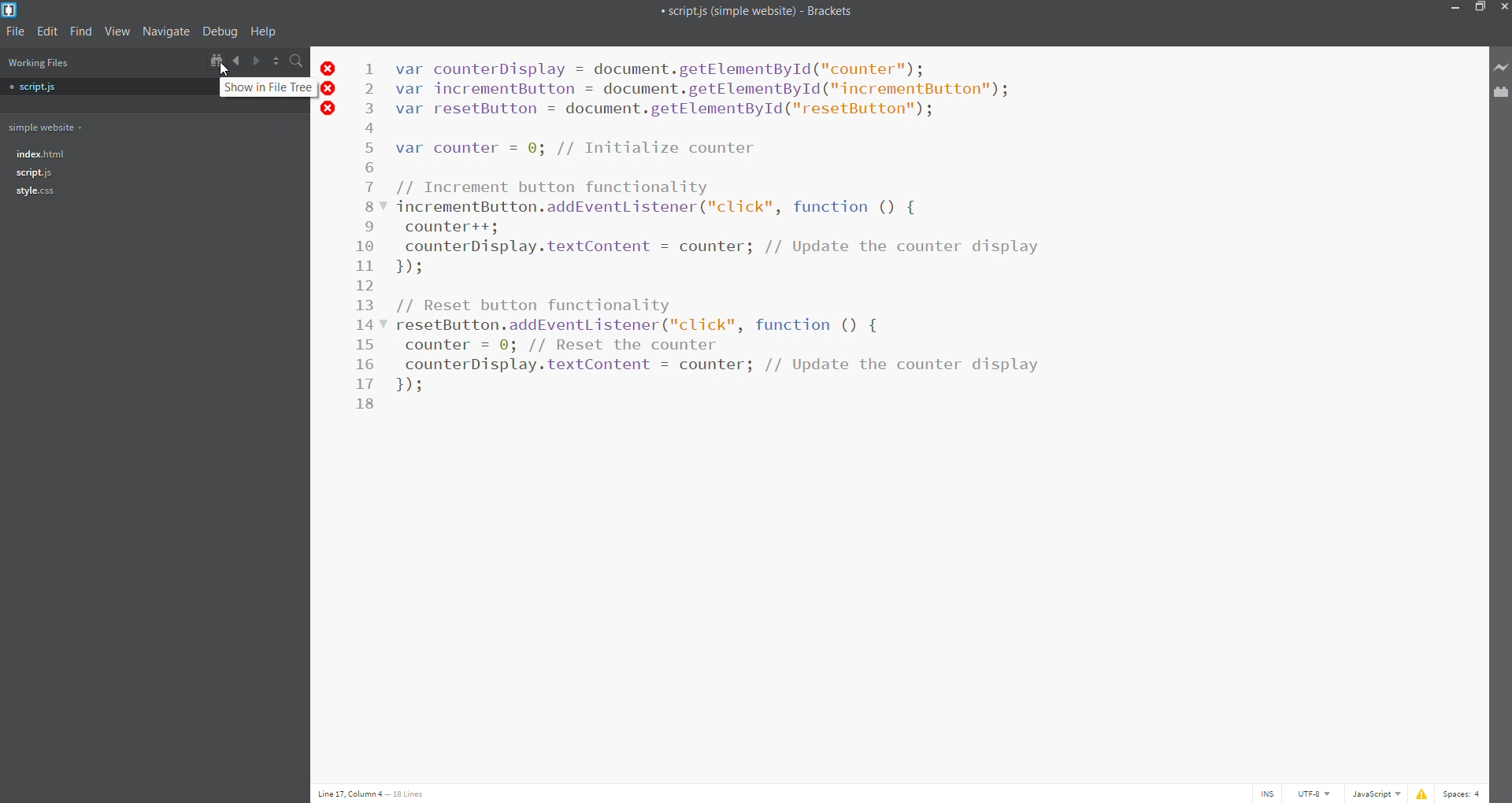  Describe the element at coordinates (49, 63) in the screenshot. I see `working files` at that location.